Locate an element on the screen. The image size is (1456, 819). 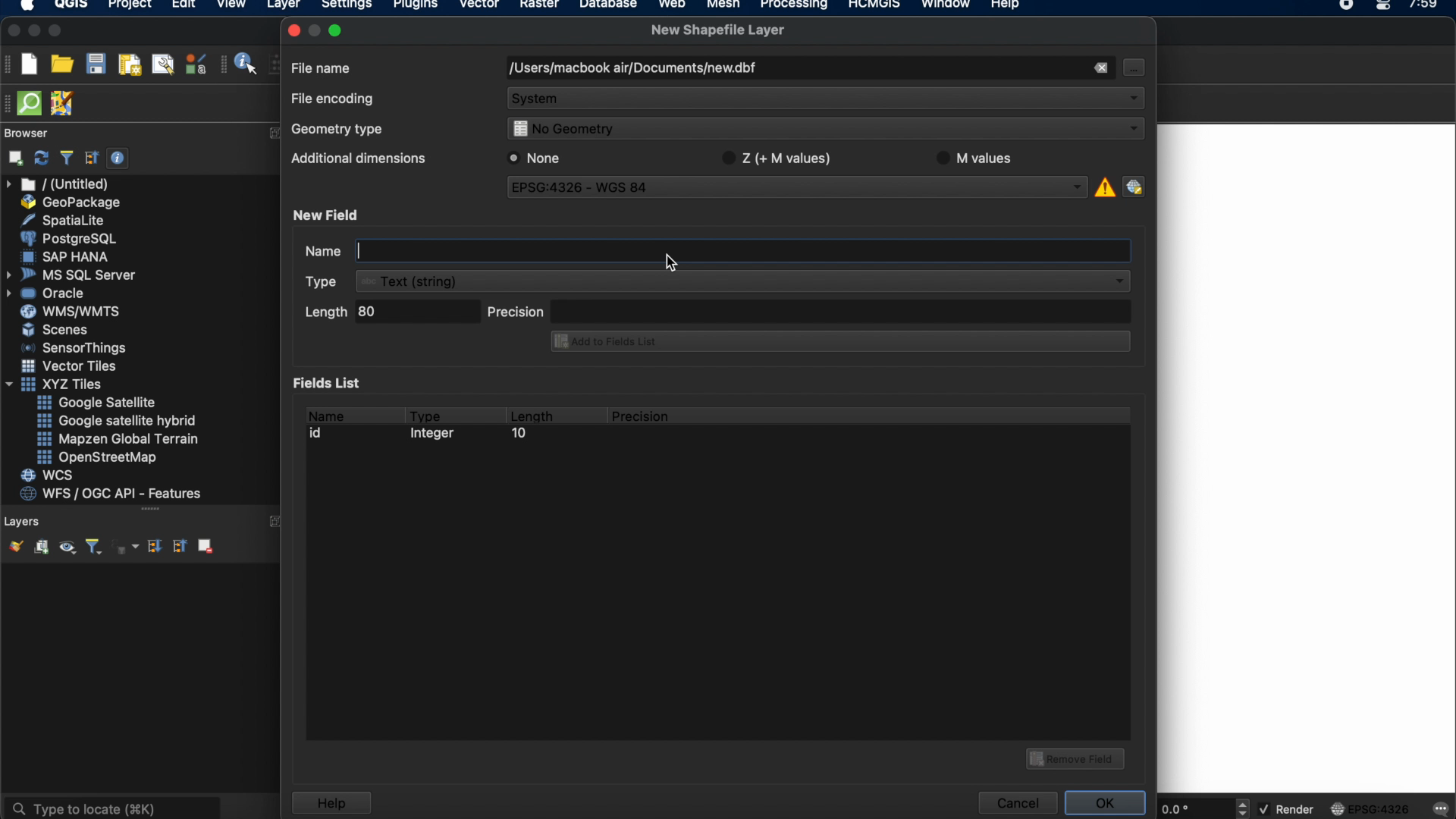
id is located at coordinates (320, 433).